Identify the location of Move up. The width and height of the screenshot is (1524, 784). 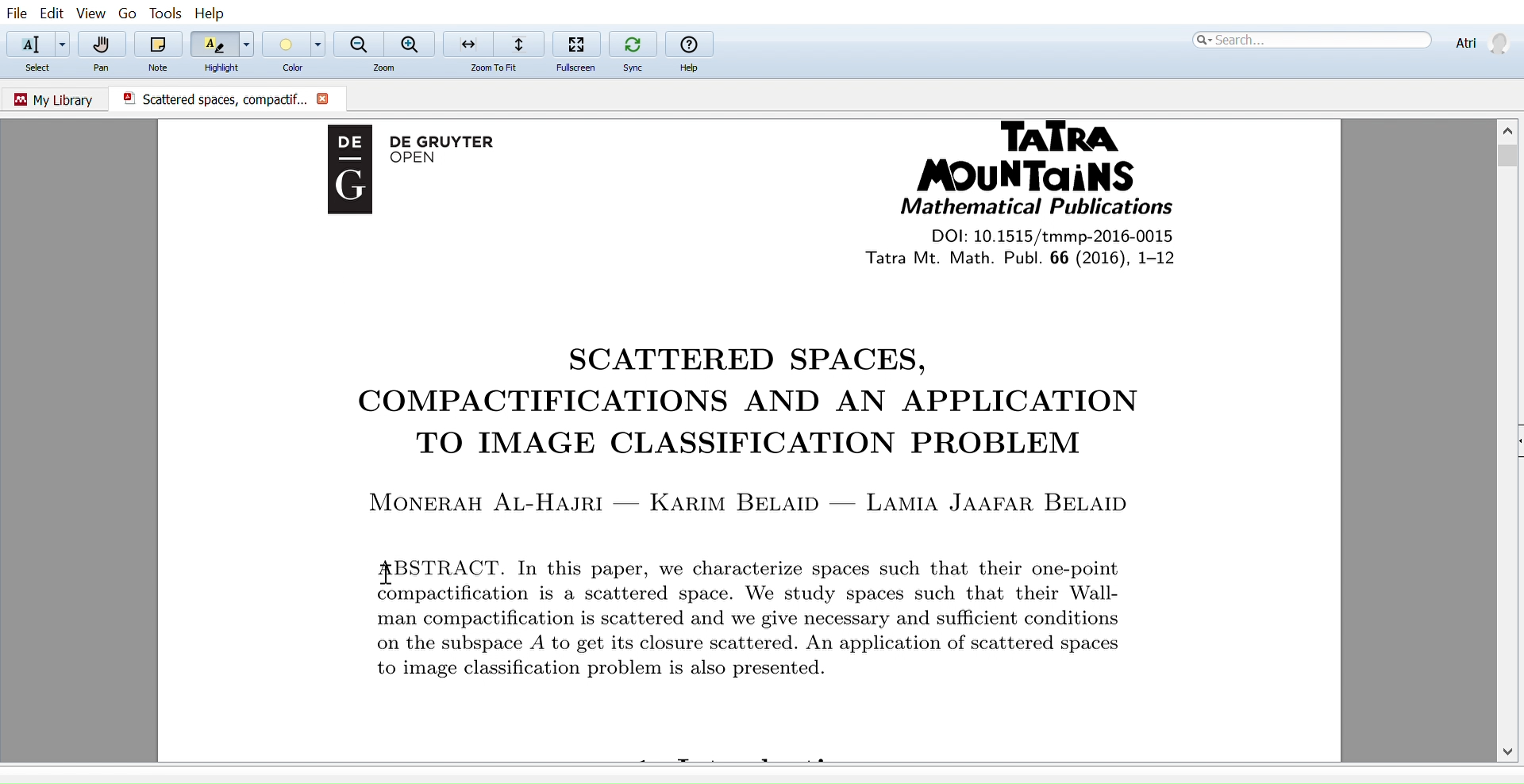
(1510, 128).